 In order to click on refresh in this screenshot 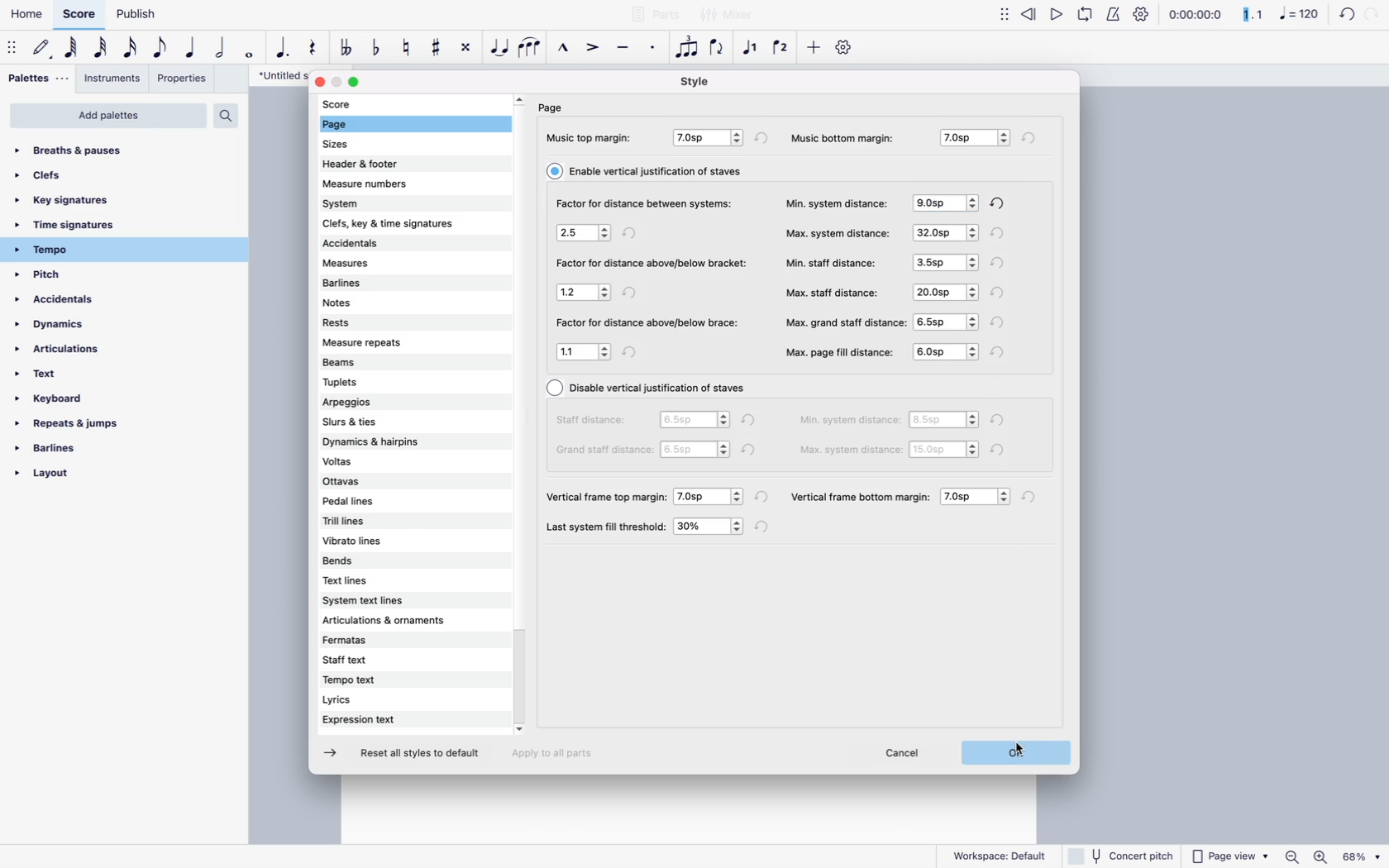, I will do `click(1001, 322)`.